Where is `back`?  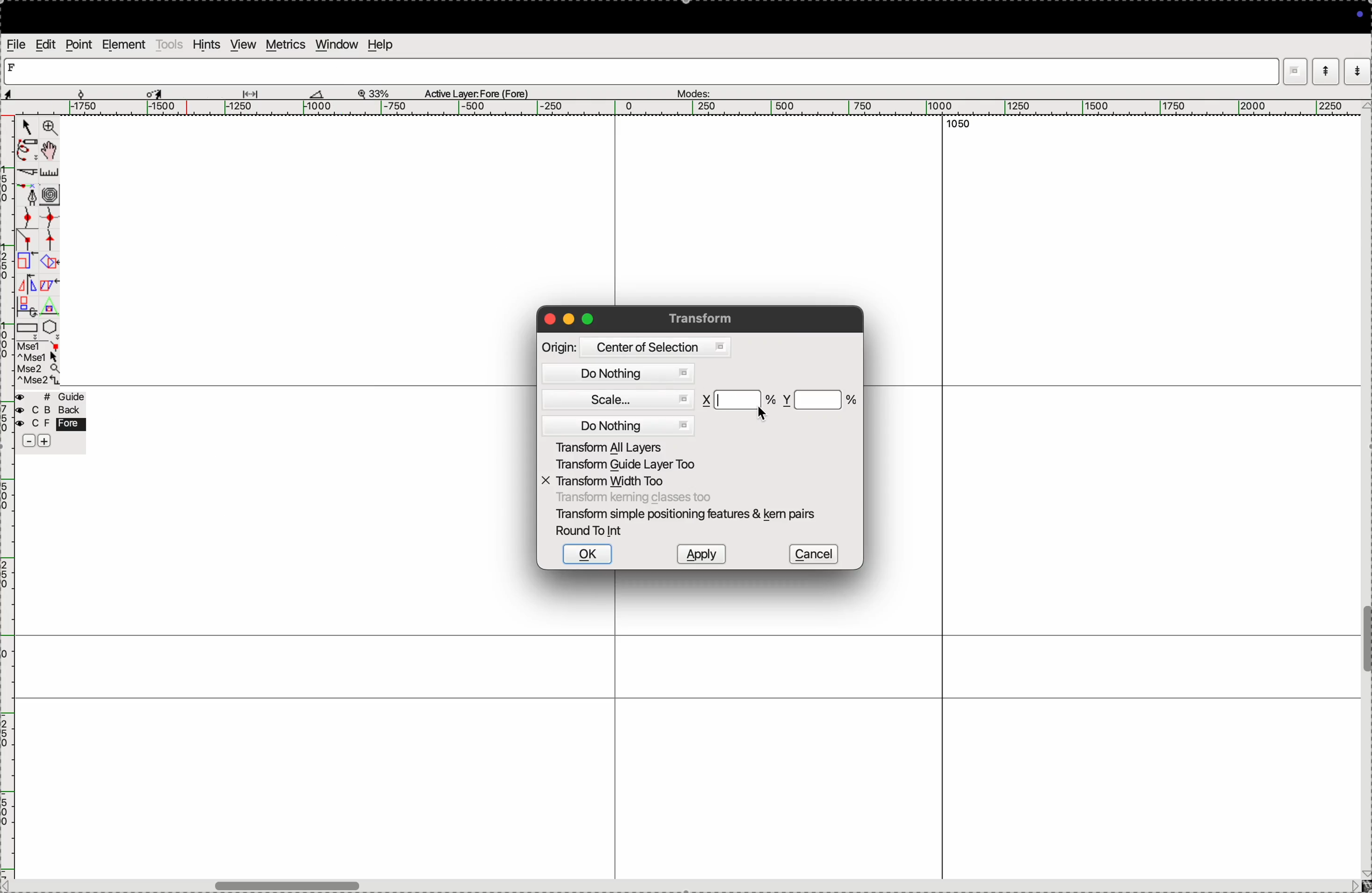
back is located at coordinates (47, 411).